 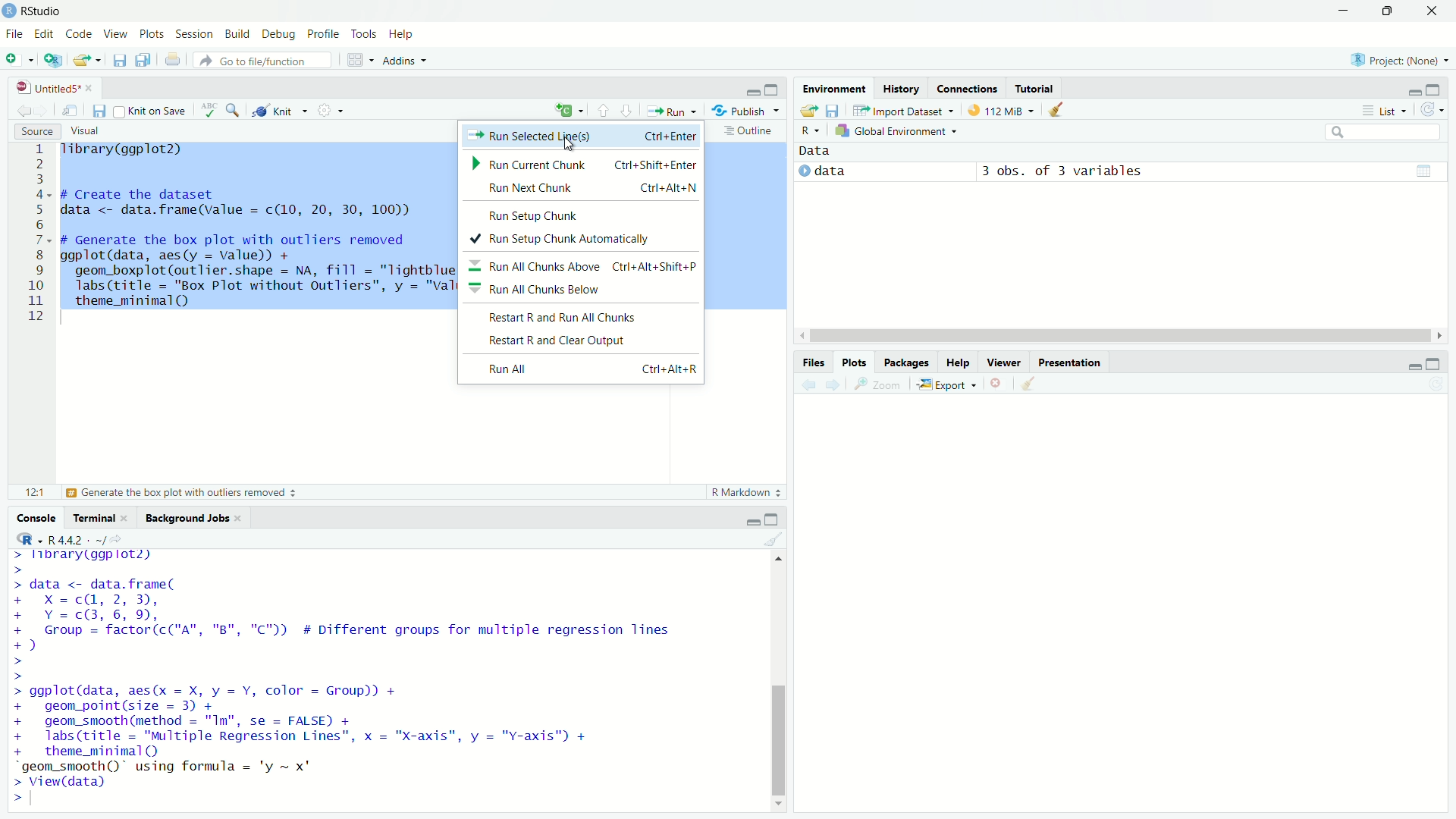 What do you see at coordinates (808, 109) in the screenshot?
I see `export` at bounding box center [808, 109].